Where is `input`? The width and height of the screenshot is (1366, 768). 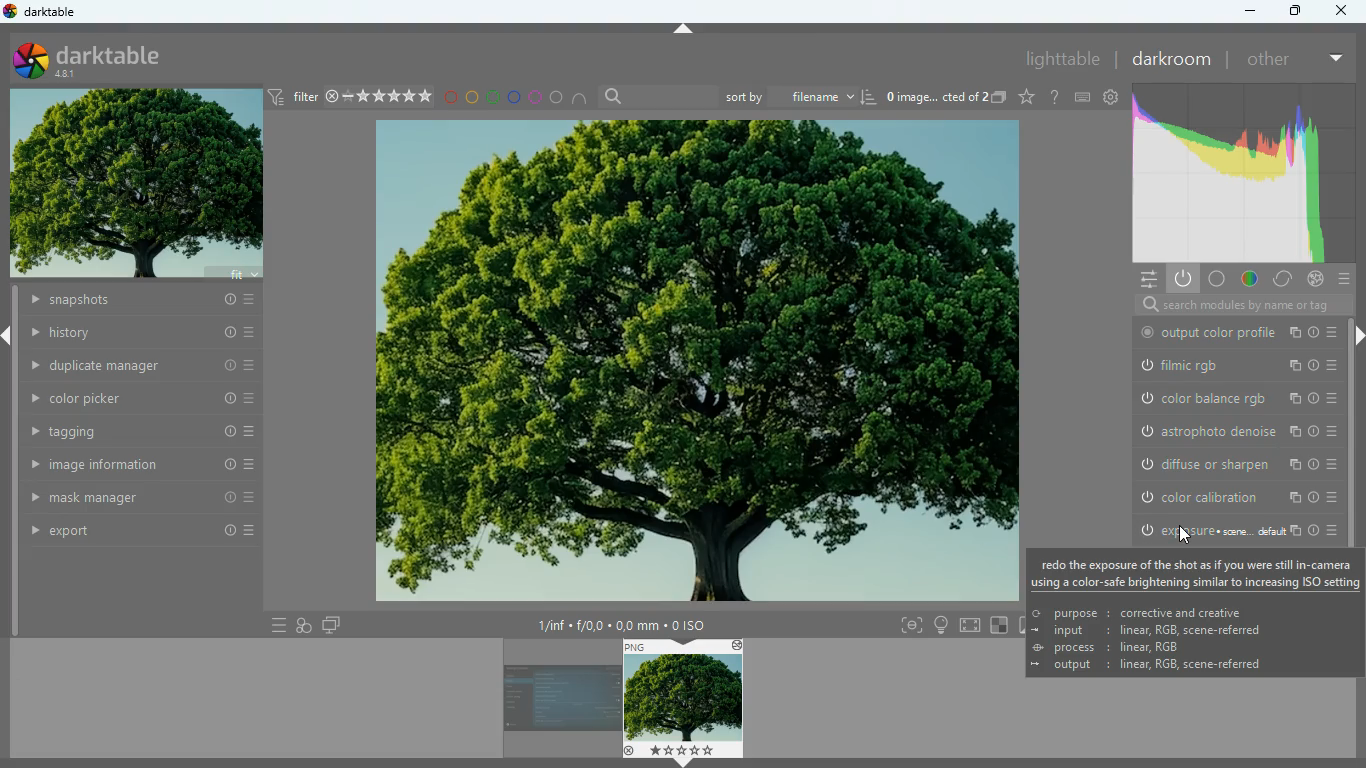 input is located at coordinates (1153, 631).